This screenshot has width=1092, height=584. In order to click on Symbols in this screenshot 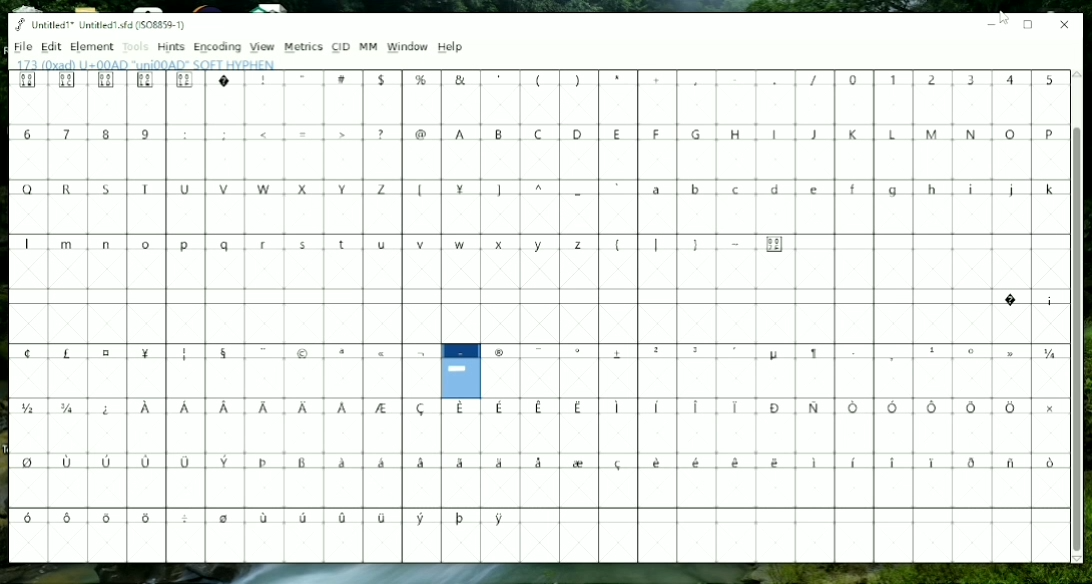, I will do `click(776, 352)`.